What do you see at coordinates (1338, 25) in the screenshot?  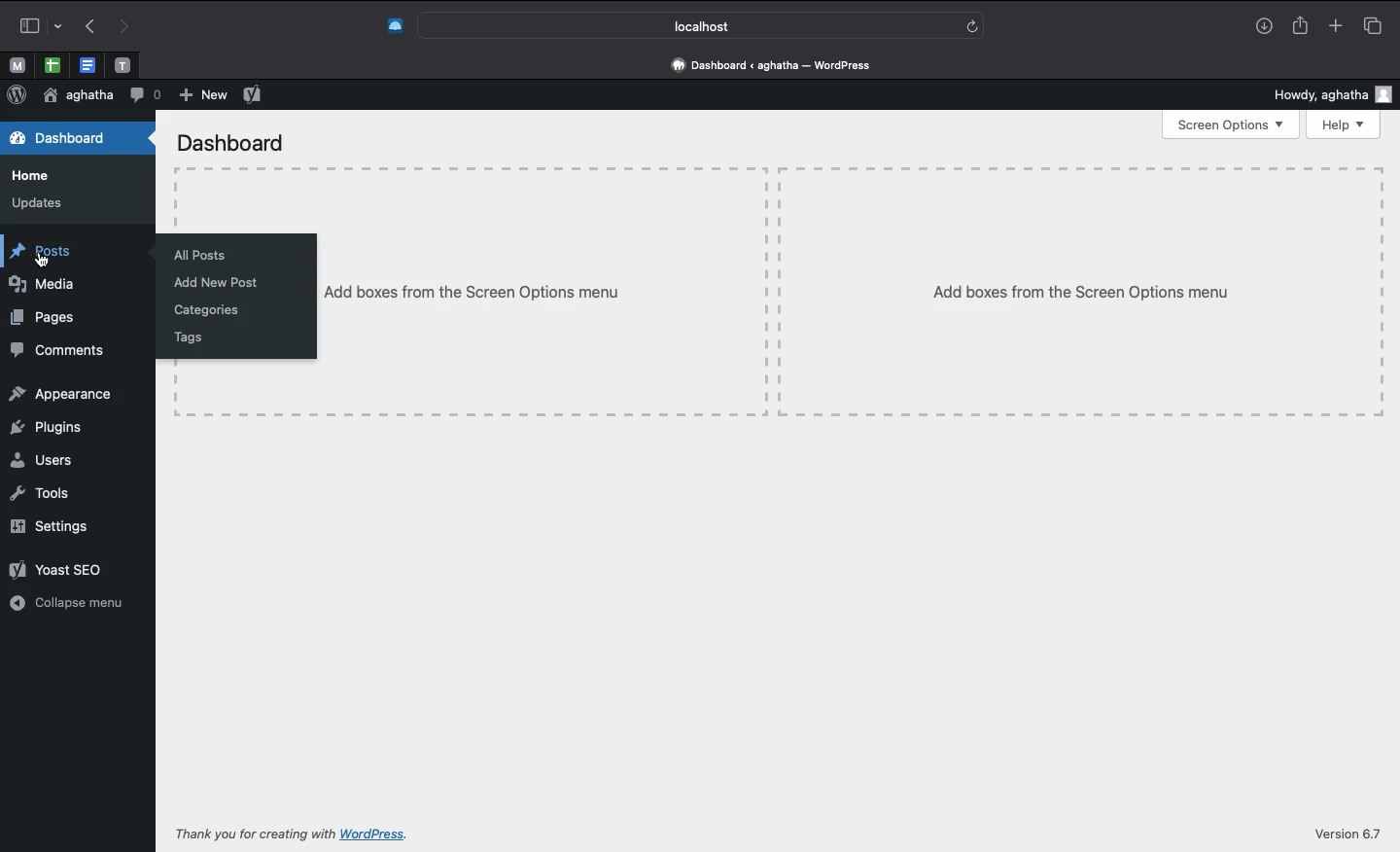 I see `Add new tab` at bounding box center [1338, 25].